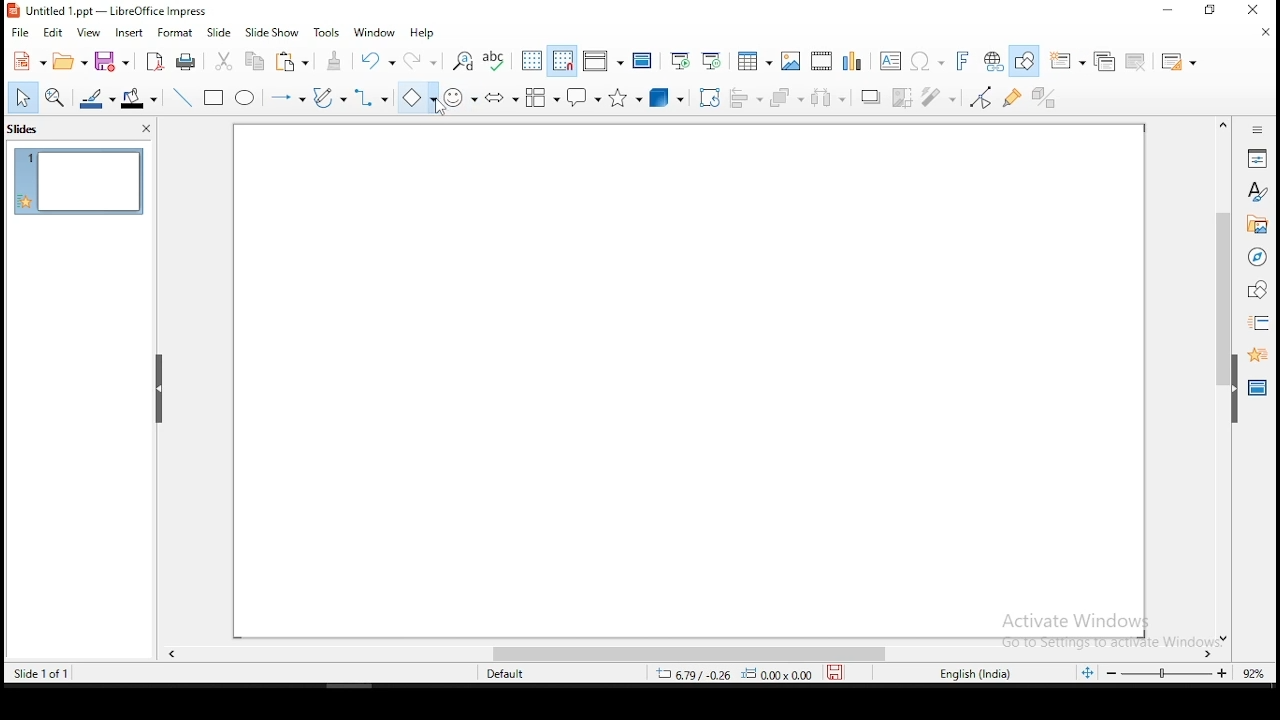 Image resolution: width=1280 pixels, height=720 pixels. I want to click on lines and arrows, so click(290, 99).